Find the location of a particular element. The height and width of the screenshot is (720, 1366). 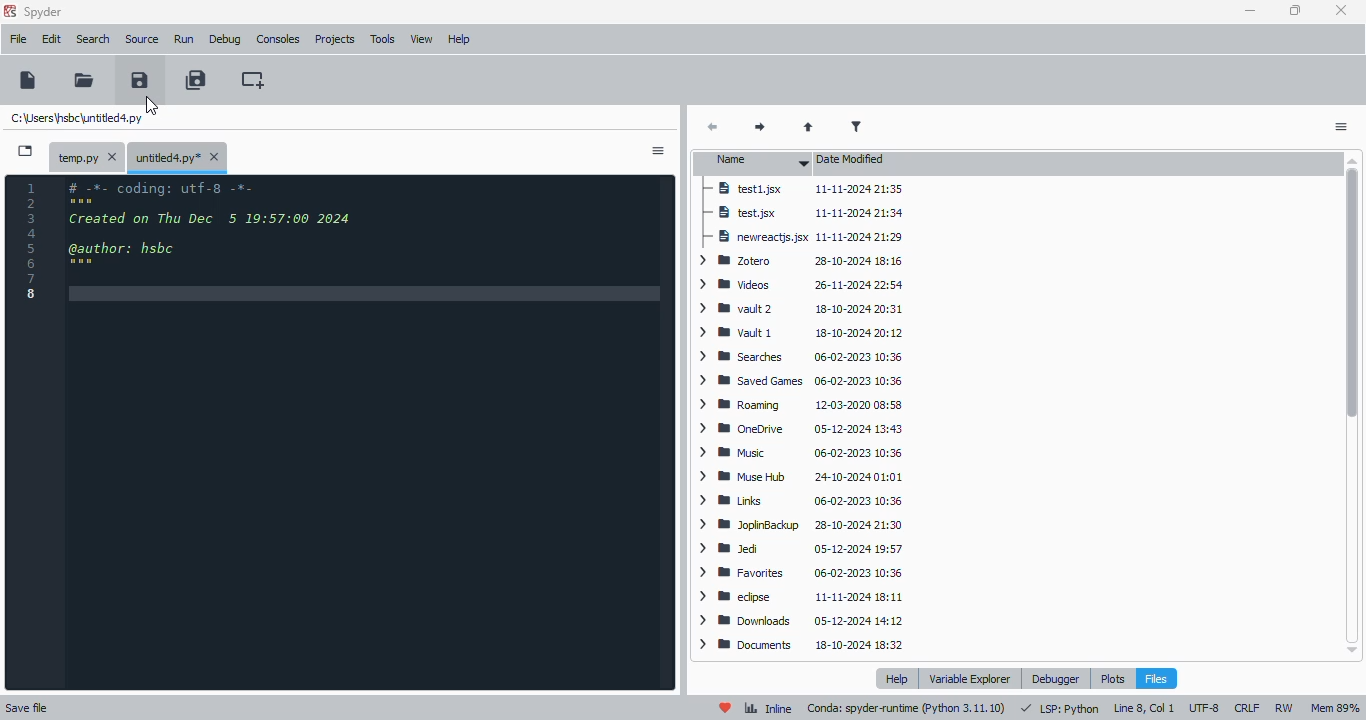

name is located at coordinates (757, 162).